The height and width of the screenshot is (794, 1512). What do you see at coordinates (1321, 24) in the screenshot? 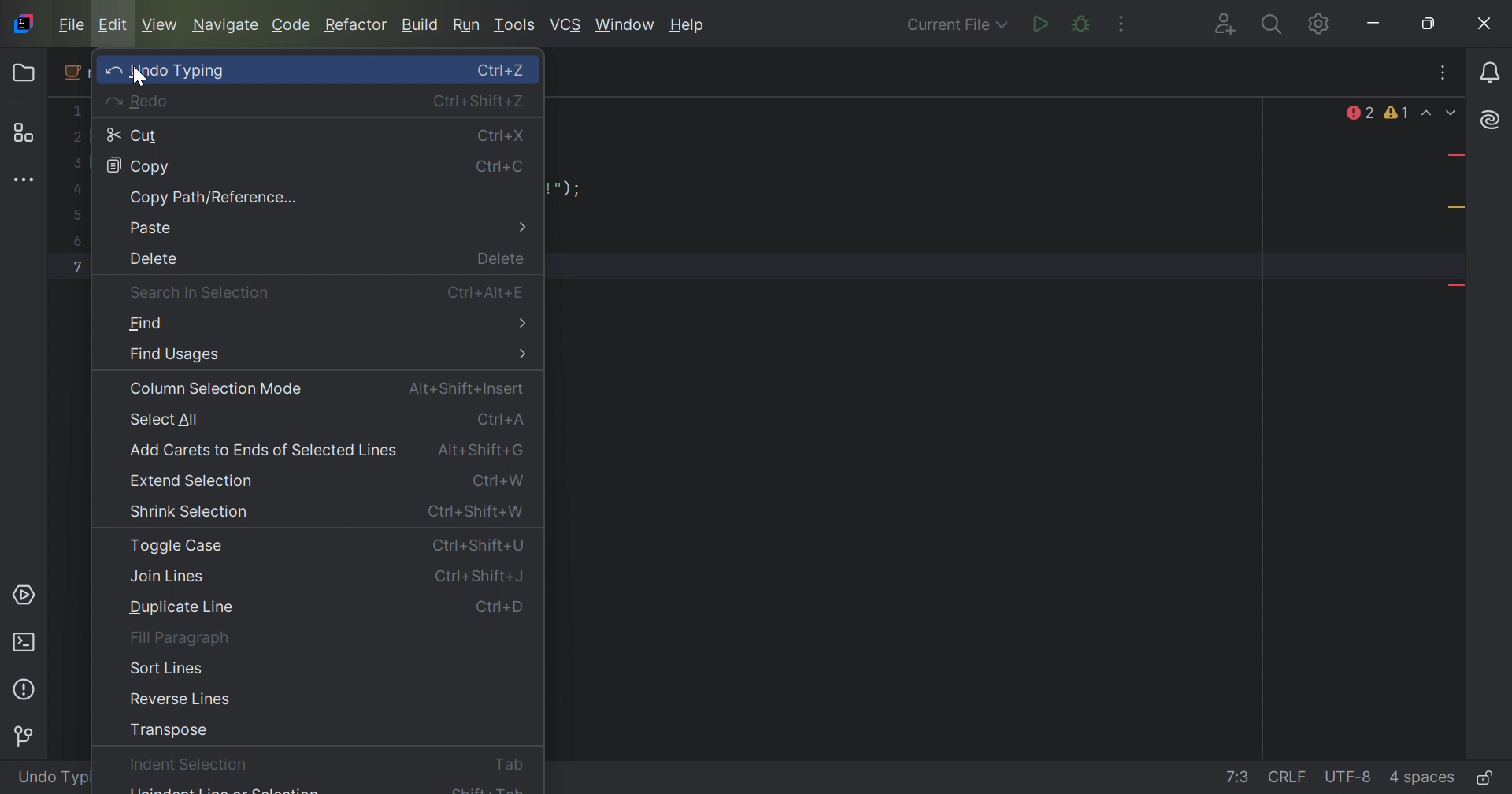
I see `Updates available. IDE and Project Settings. ` at bounding box center [1321, 24].